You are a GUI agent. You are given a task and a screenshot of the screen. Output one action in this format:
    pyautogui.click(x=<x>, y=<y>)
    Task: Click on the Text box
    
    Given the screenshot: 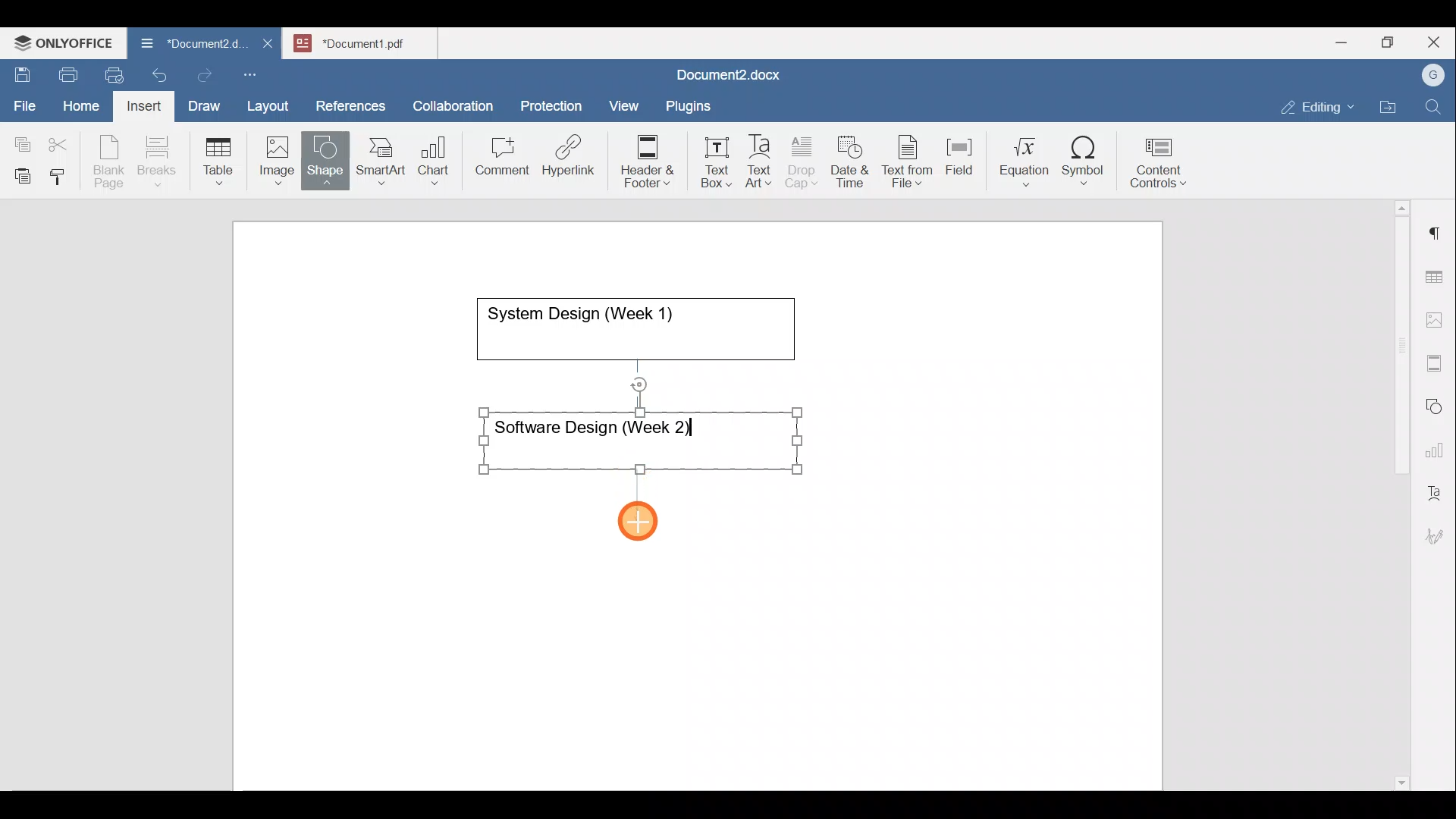 What is the action you would take?
    pyautogui.click(x=706, y=162)
    